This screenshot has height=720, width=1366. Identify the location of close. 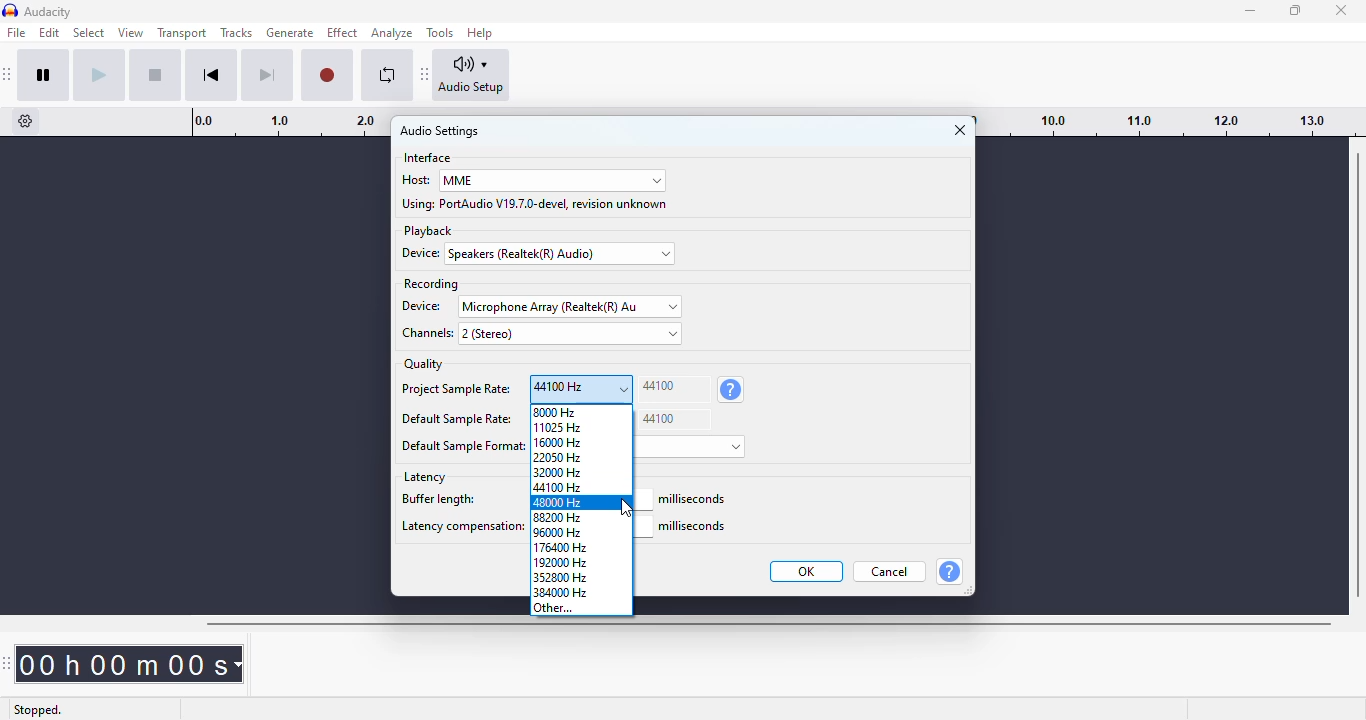
(960, 130).